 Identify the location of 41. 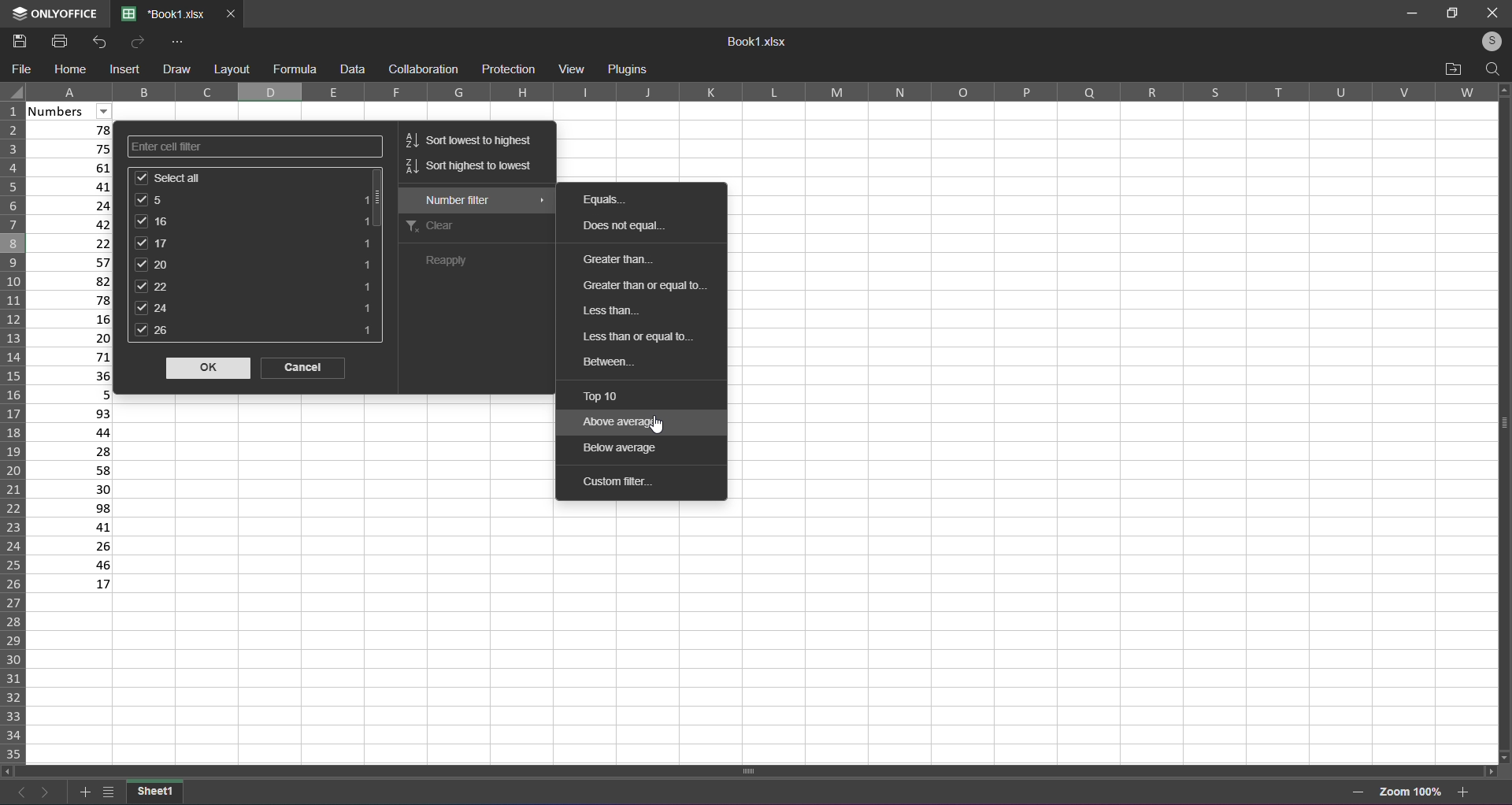
(70, 526).